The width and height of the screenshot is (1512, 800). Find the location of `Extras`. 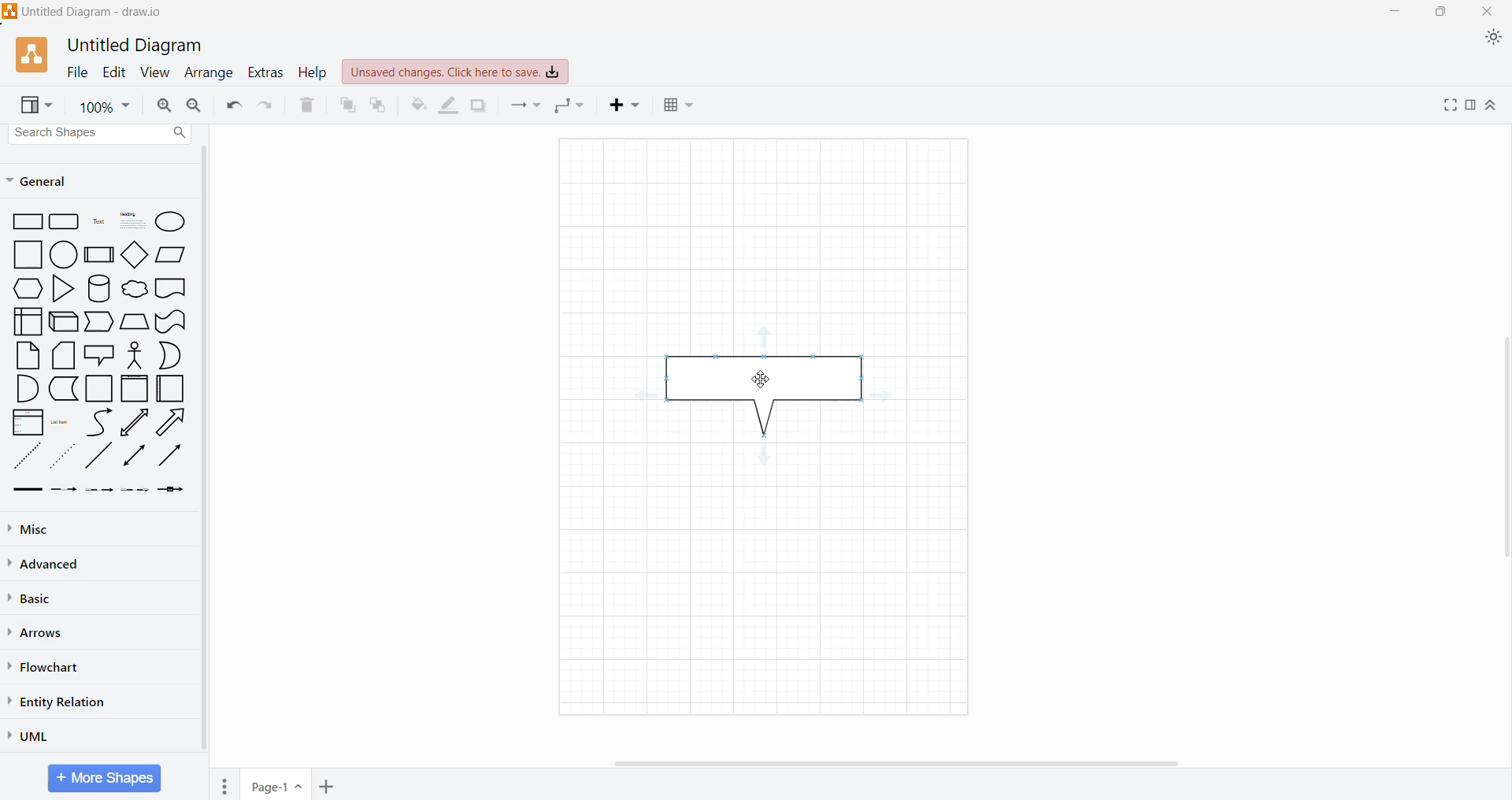

Extras is located at coordinates (267, 73).